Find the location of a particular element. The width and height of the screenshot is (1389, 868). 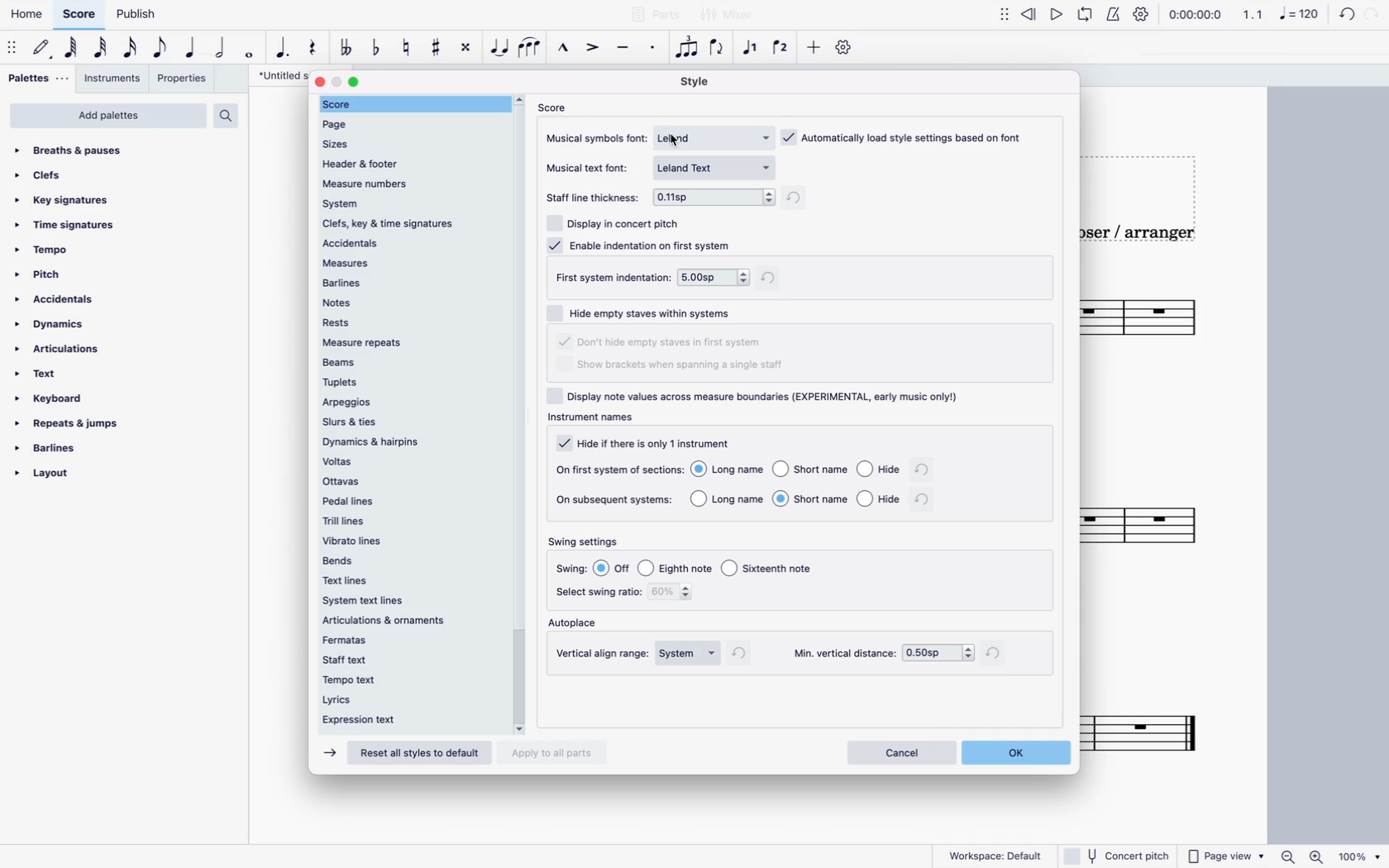

articulations & ornaments is located at coordinates (408, 621).